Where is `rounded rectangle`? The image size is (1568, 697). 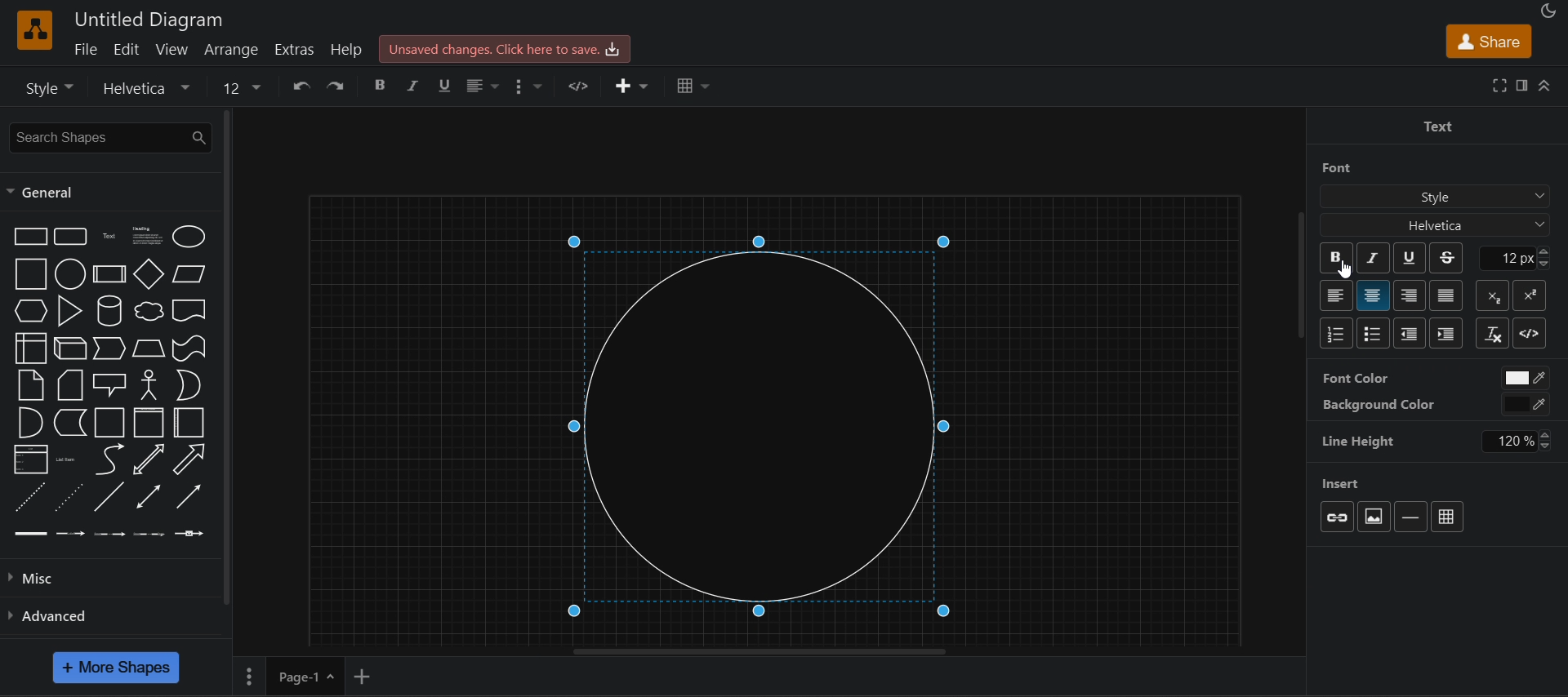 rounded rectangle is located at coordinates (72, 237).